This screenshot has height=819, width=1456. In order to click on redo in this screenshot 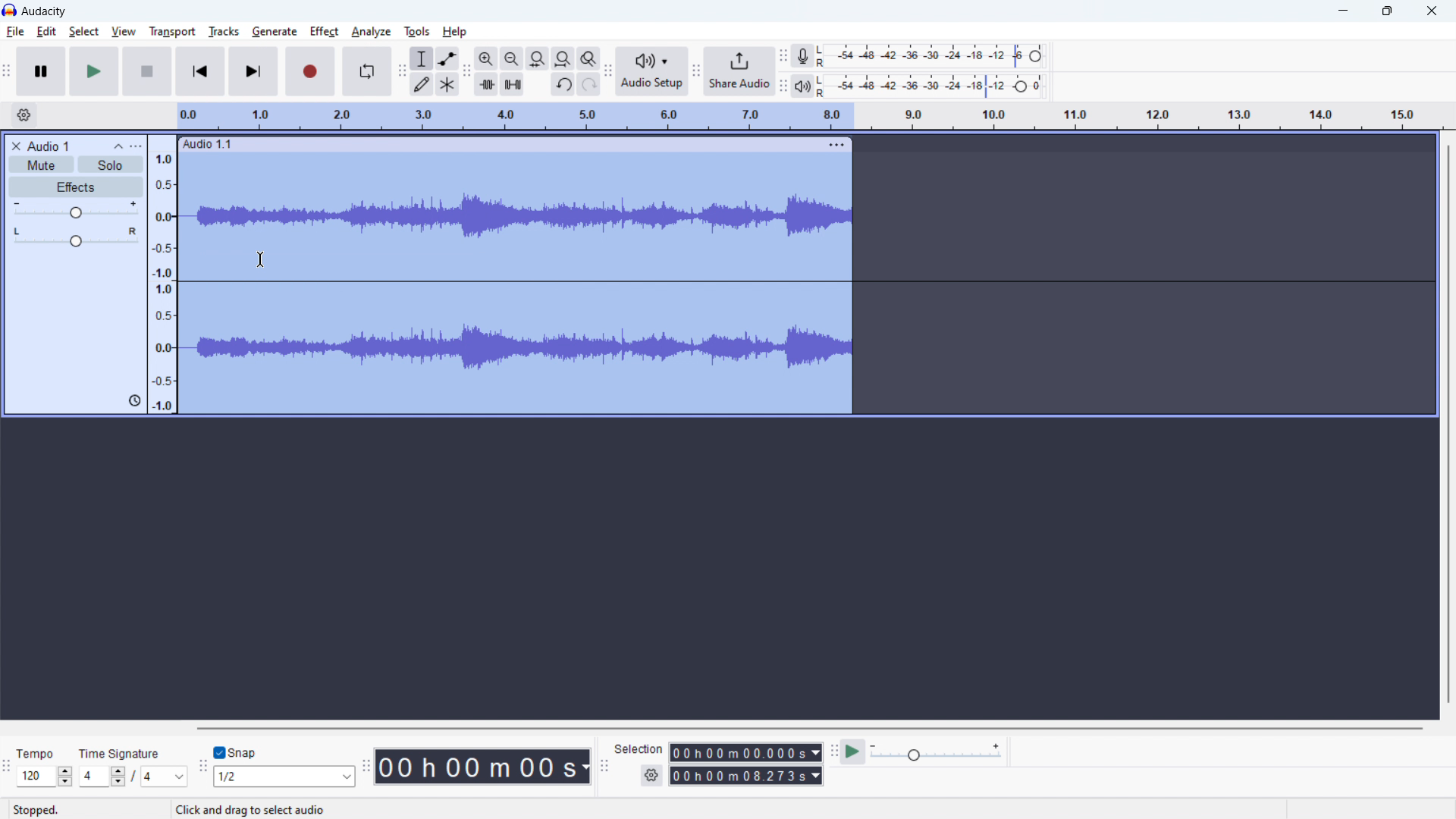, I will do `click(588, 84)`.